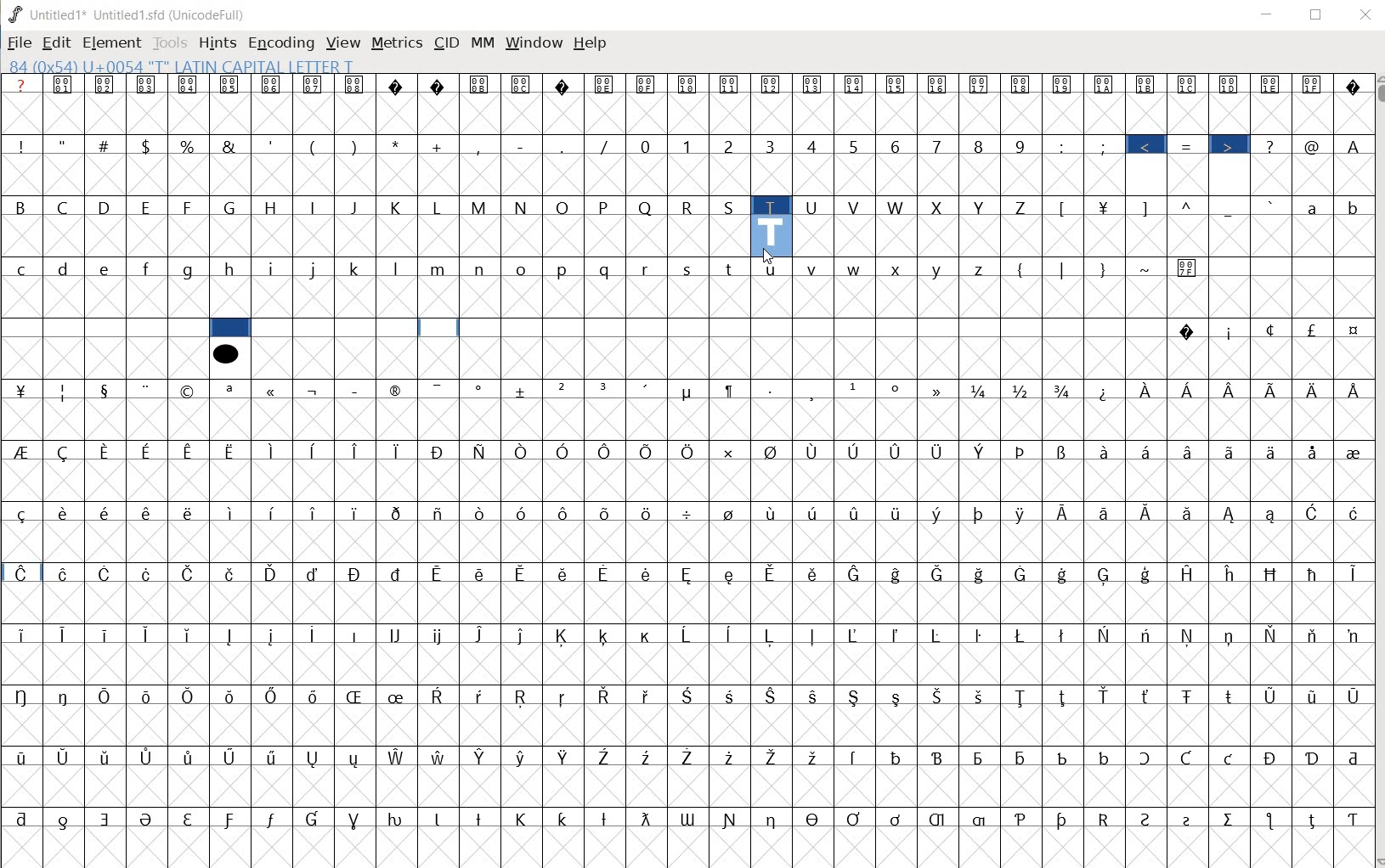 The height and width of the screenshot is (868, 1385). What do you see at coordinates (315, 268) in the screenshot?
I see `j` at bounding box center [315, 268].